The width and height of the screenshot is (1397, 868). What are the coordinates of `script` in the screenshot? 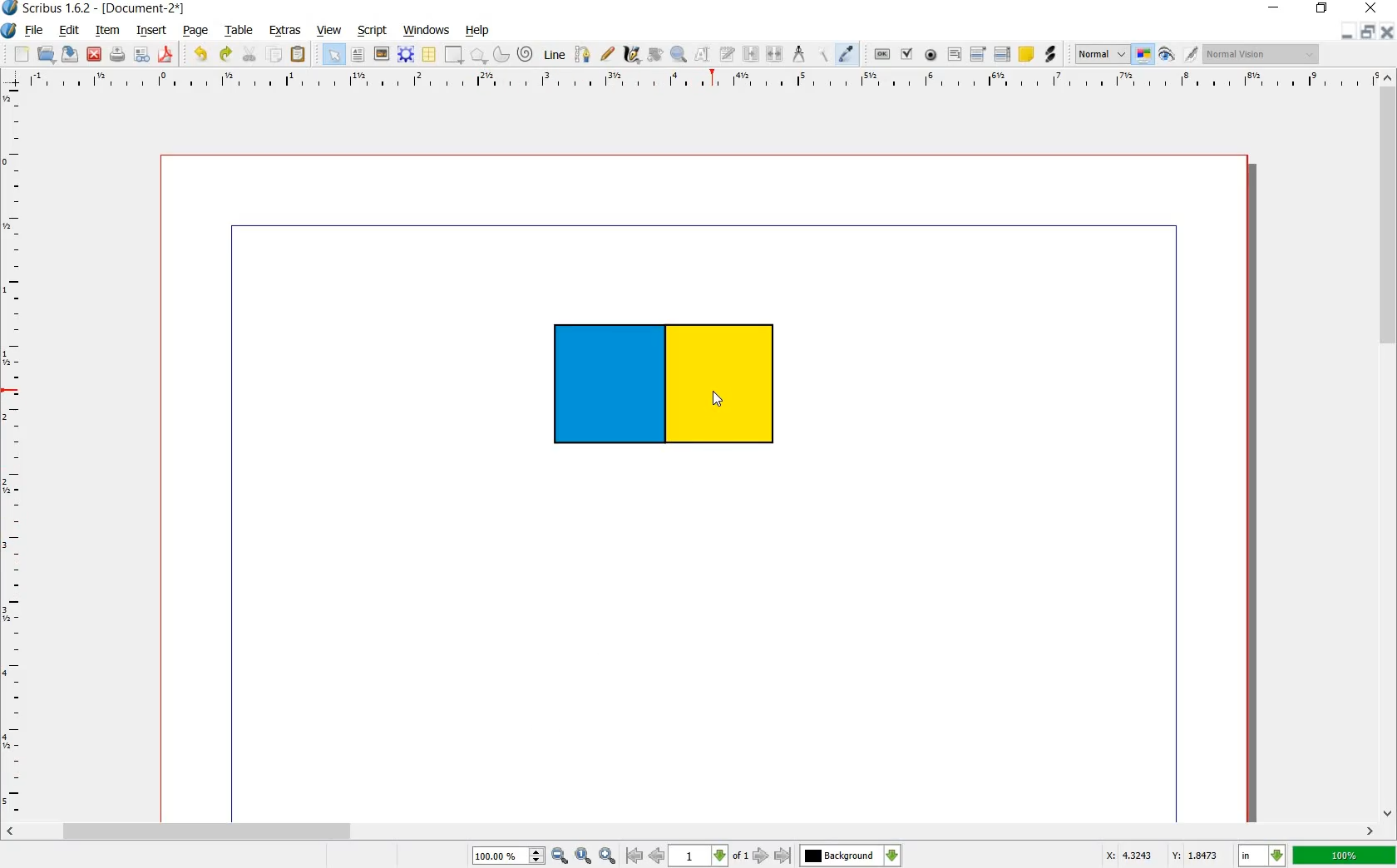 It's located at (373, 31).